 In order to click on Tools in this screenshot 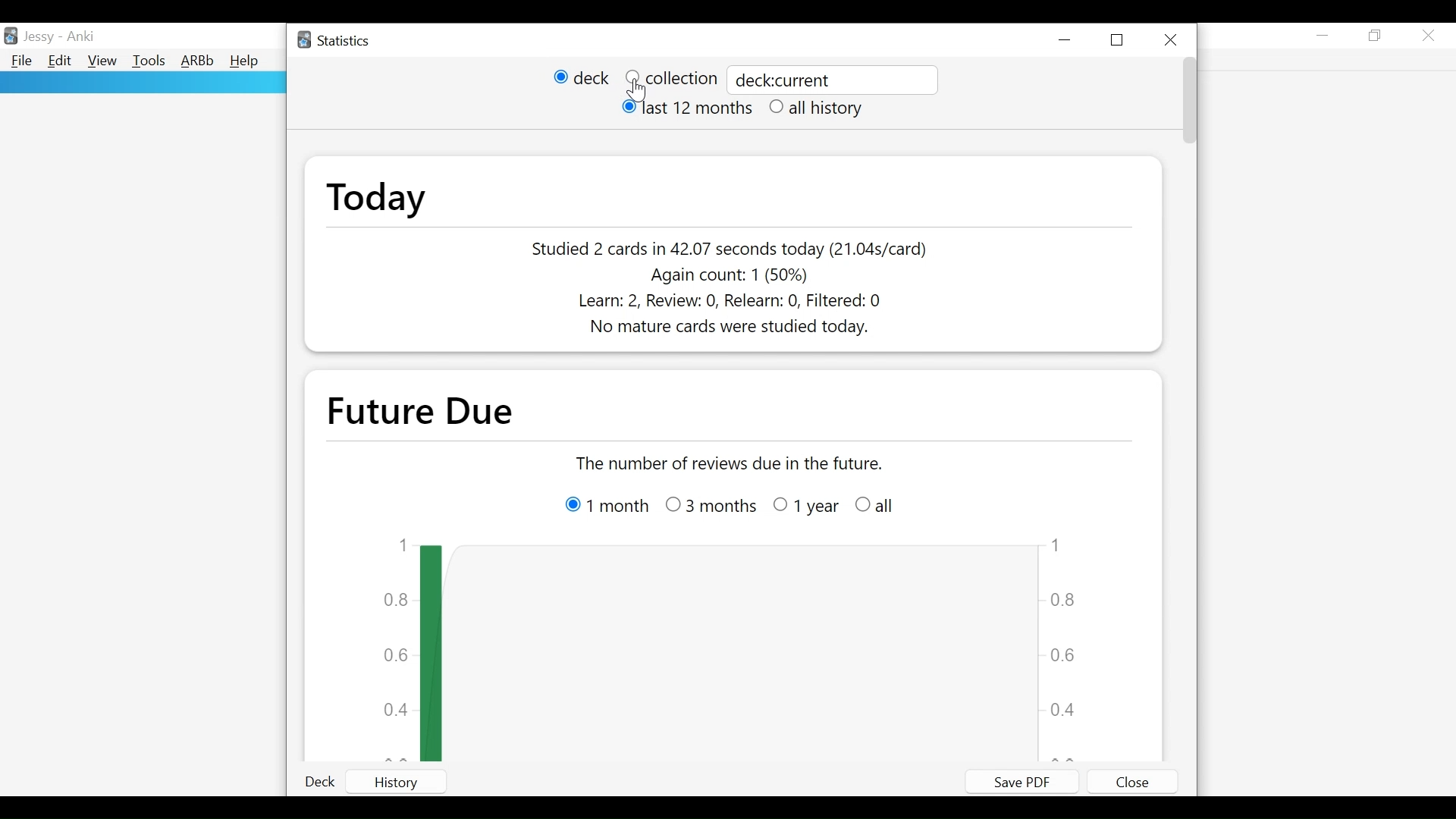, I will do `click(149, 62)`.